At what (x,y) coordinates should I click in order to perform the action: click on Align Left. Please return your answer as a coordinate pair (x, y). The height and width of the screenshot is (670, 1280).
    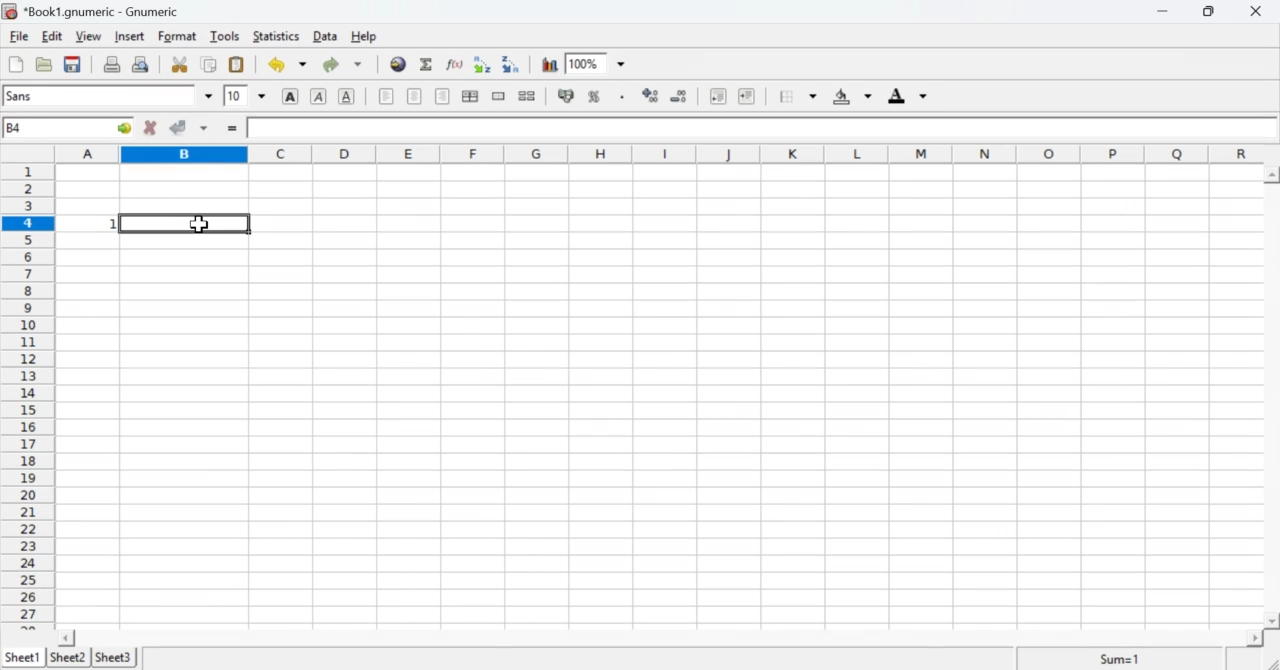
    Looking at the image, I should click on (386, 97).